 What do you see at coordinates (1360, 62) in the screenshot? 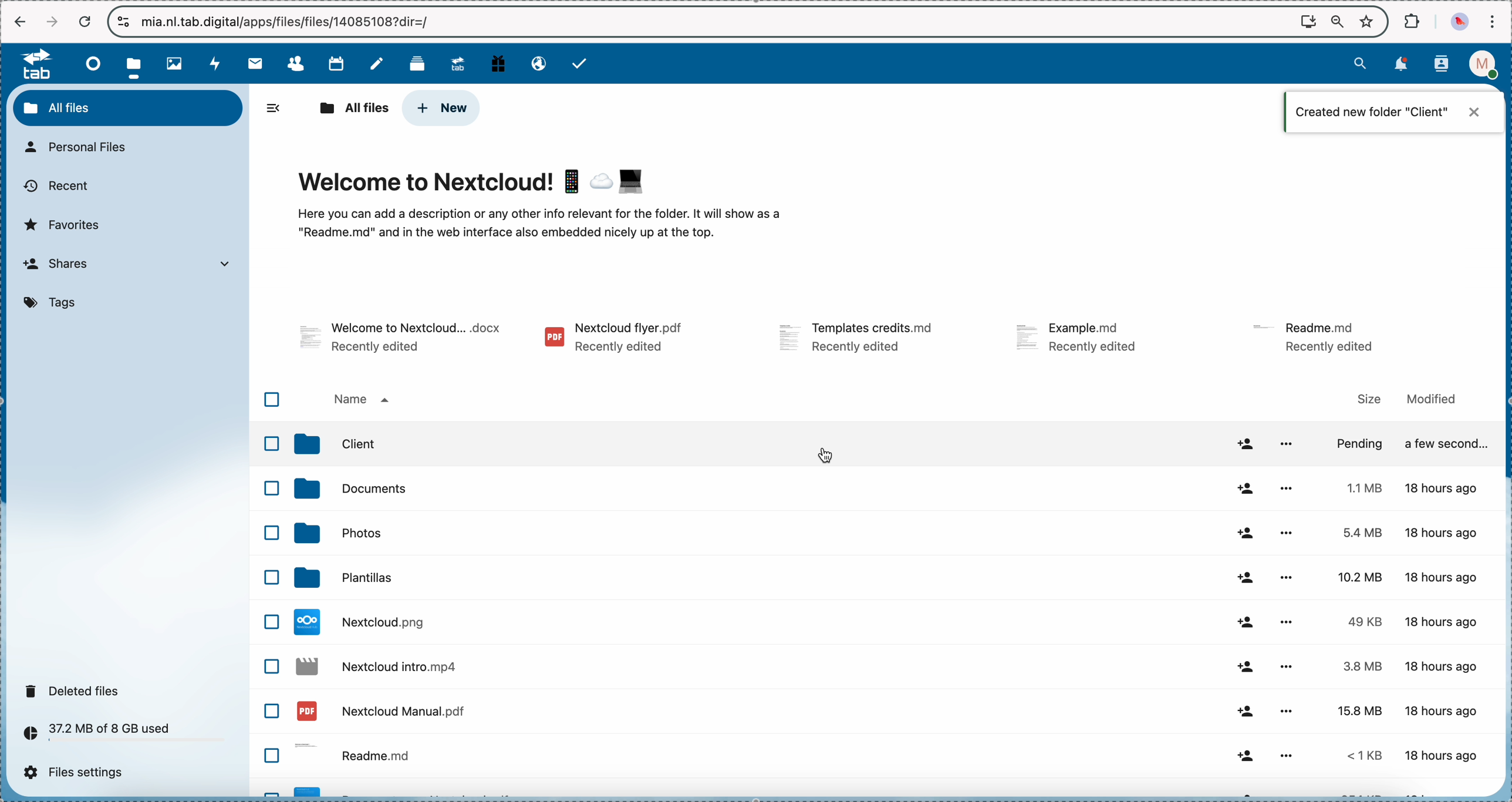
I see `search` at bounding box center [1360, 62].